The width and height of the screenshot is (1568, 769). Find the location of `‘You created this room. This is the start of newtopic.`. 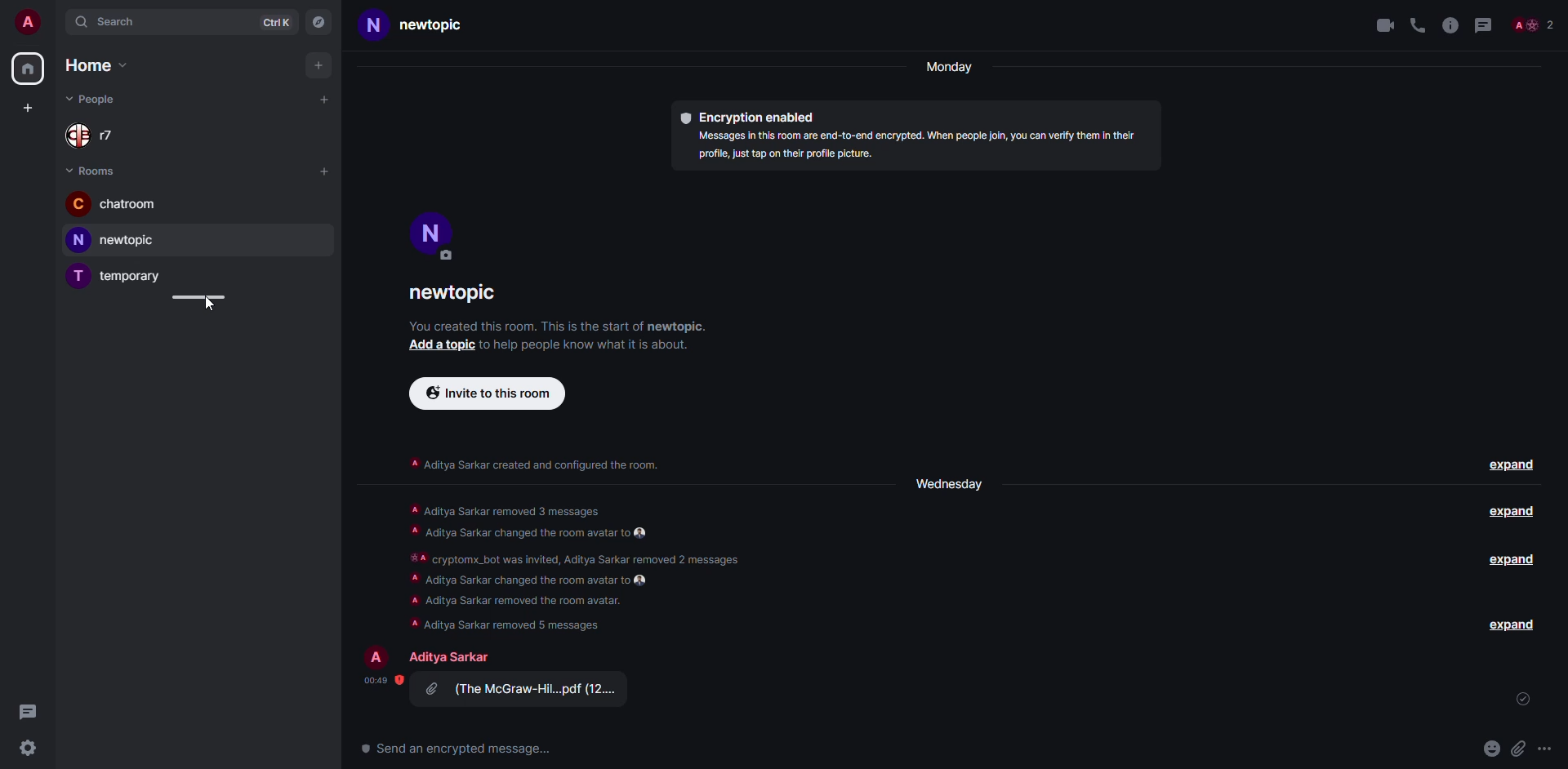

‘You created this room. This is the start of newtopic. is located at coordinates (572, 326).